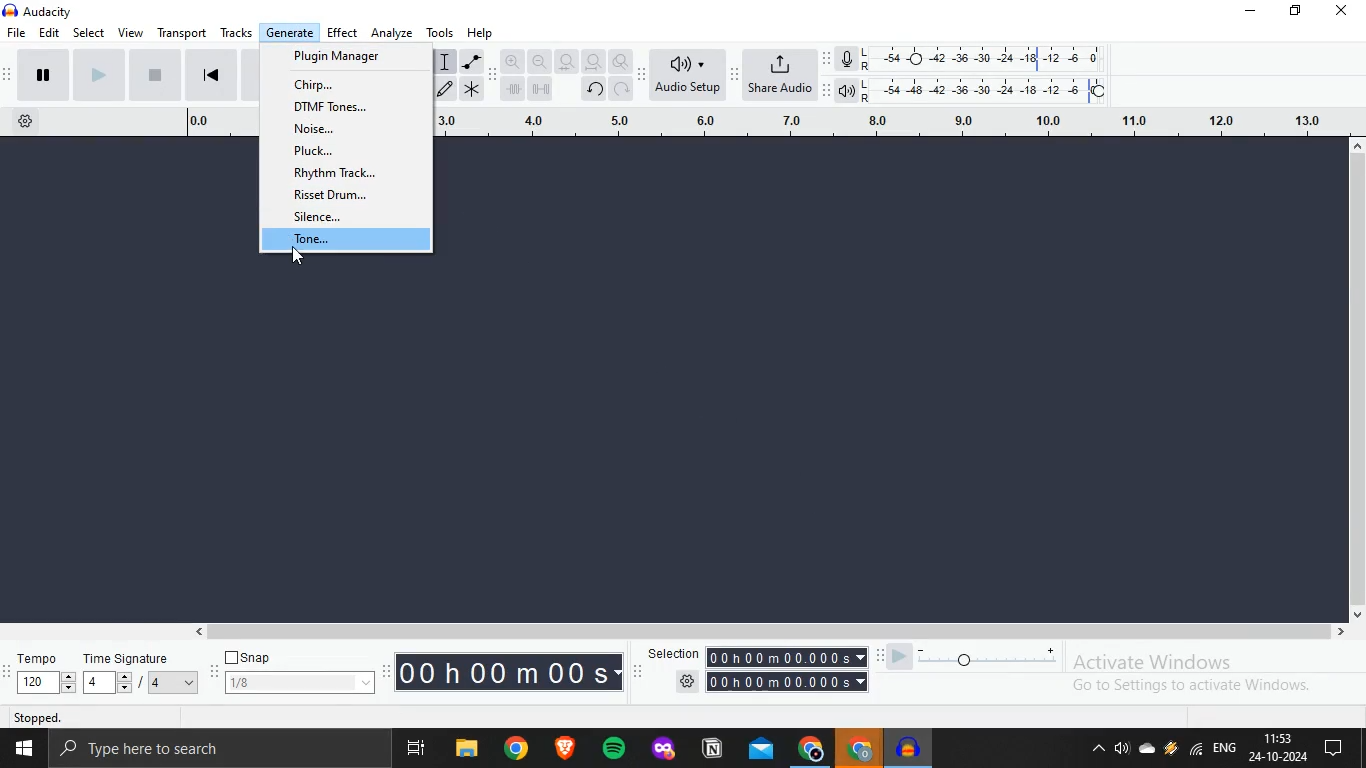 Image resolution: width=1366 pixels, height=768 pixels. Describe the element at coordinates (251, 657) in the screenshot. I see `Snap` at that location.